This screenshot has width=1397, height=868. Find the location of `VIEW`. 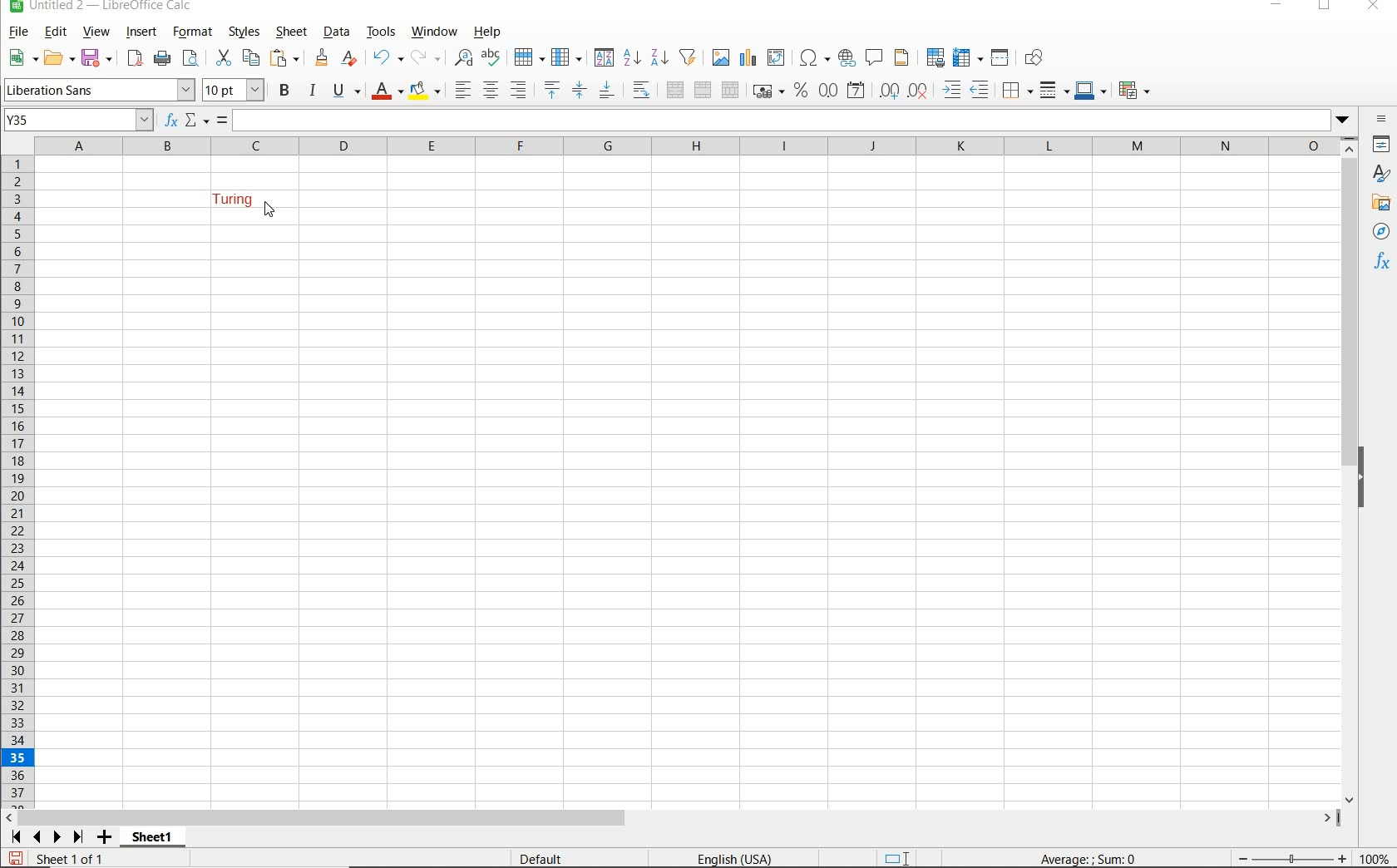

VIEW is located at coordinates (96, 32).